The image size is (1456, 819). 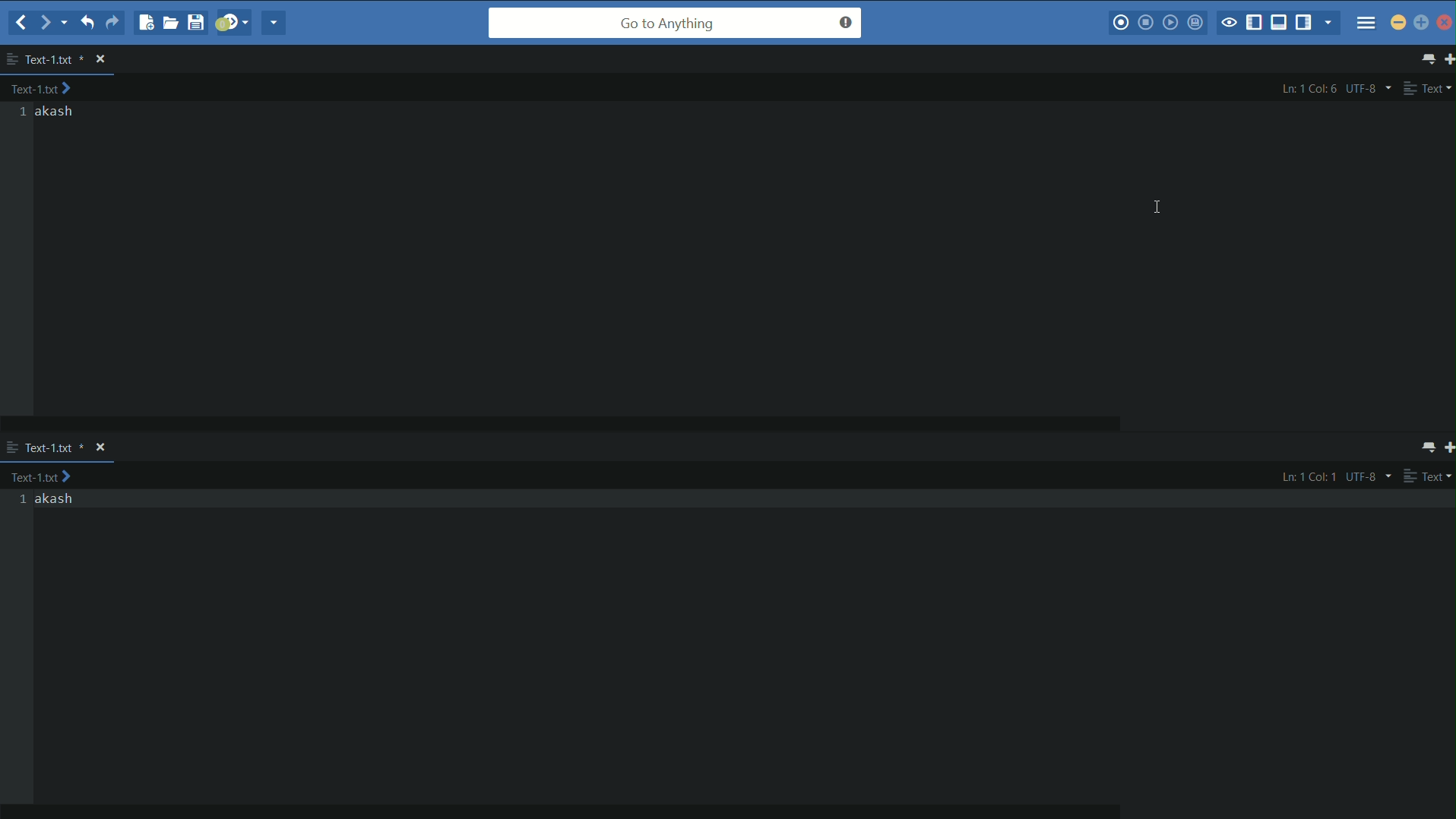 What do you see at coordinates (100, 447) in the screenshot?
I see `close file` at bounding box center [100, 447].